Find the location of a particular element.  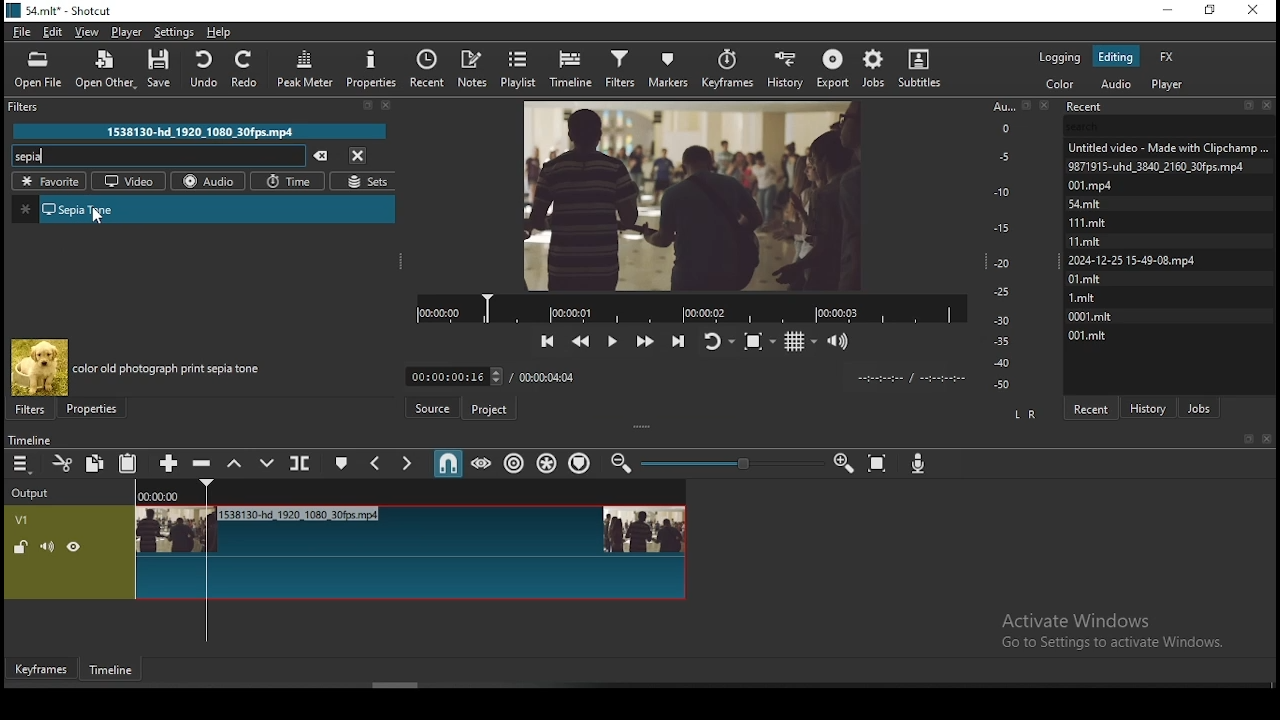

color old photograph print sepia tone is located at coordinates (168, 370).